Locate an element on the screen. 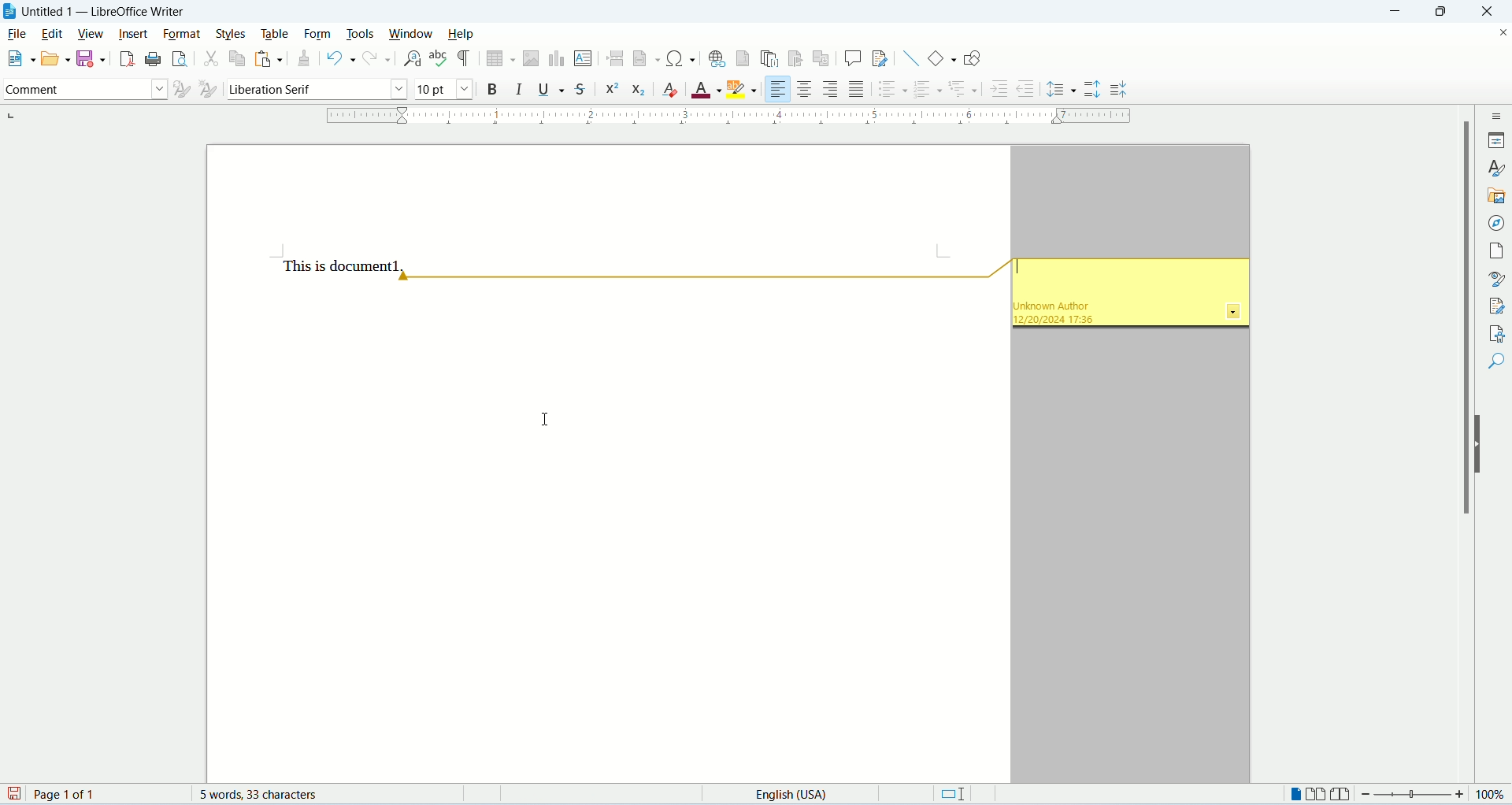  open is located at coordinates (54, 60).